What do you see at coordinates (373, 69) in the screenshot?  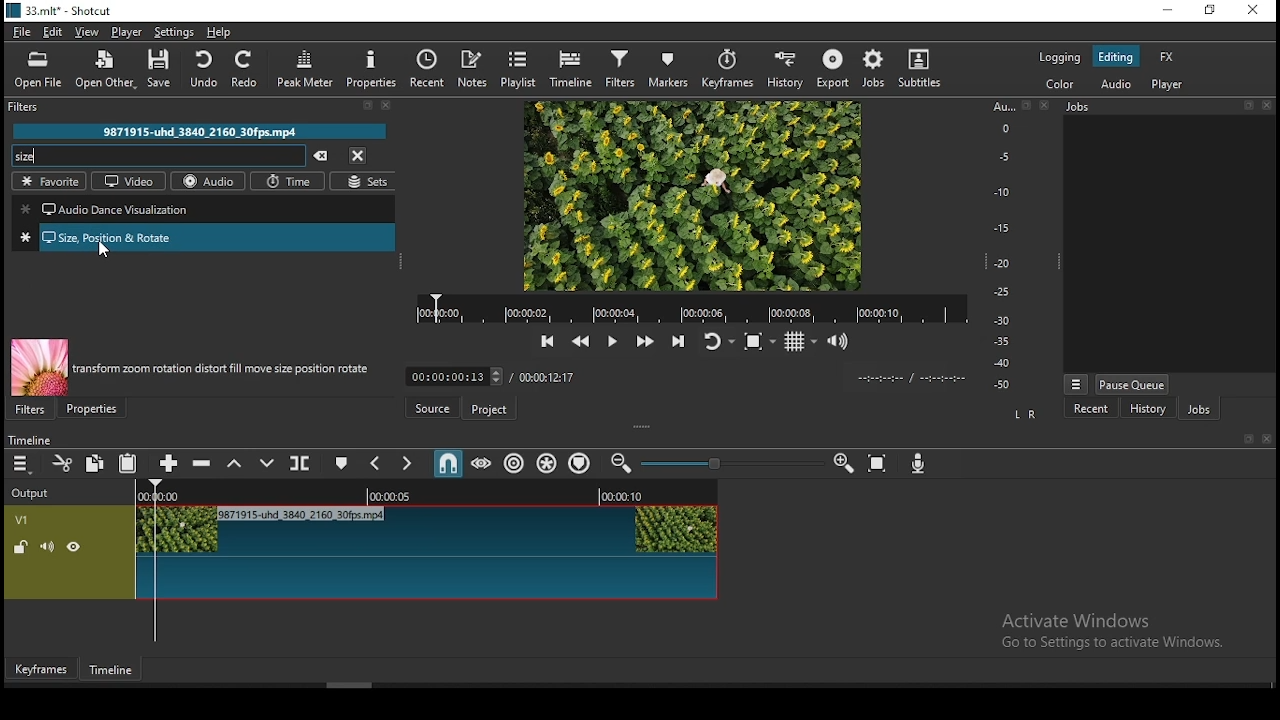 I see `properties` at bounding box center [373, 69].